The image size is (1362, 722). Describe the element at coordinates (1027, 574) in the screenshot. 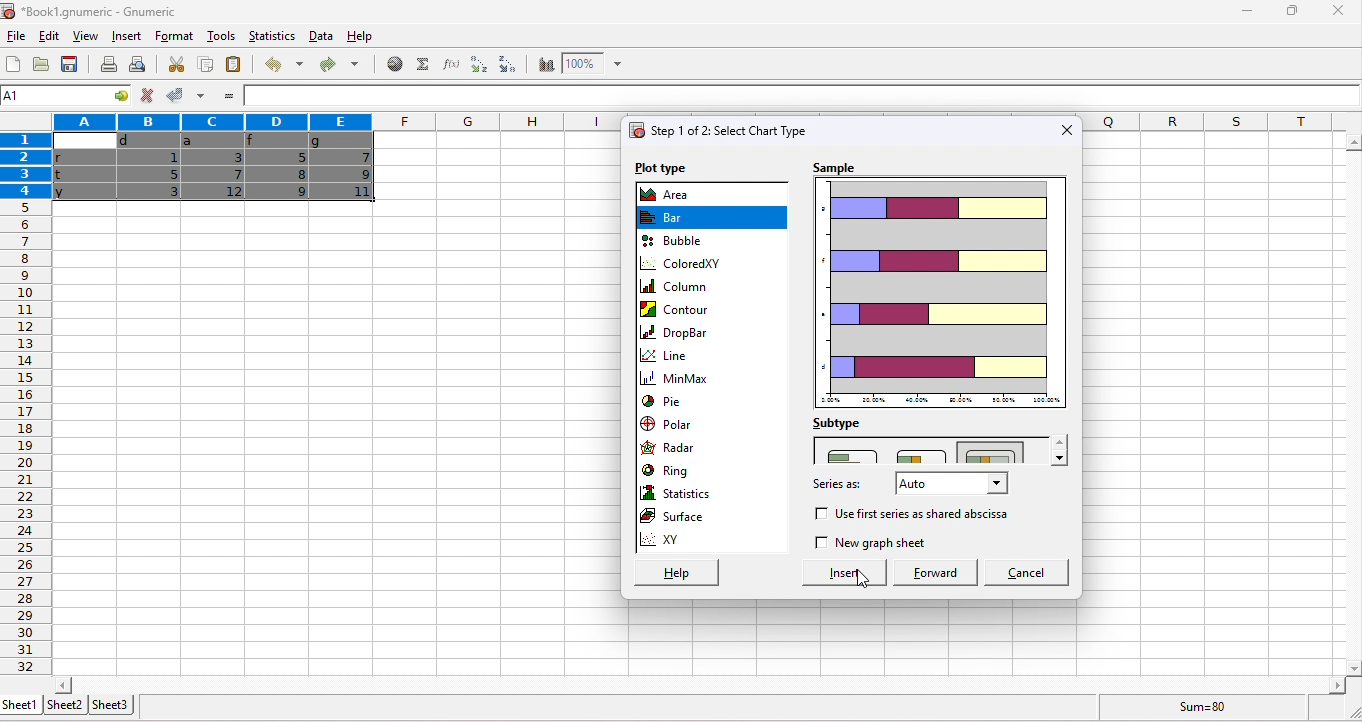

I see `cancel` at that location.